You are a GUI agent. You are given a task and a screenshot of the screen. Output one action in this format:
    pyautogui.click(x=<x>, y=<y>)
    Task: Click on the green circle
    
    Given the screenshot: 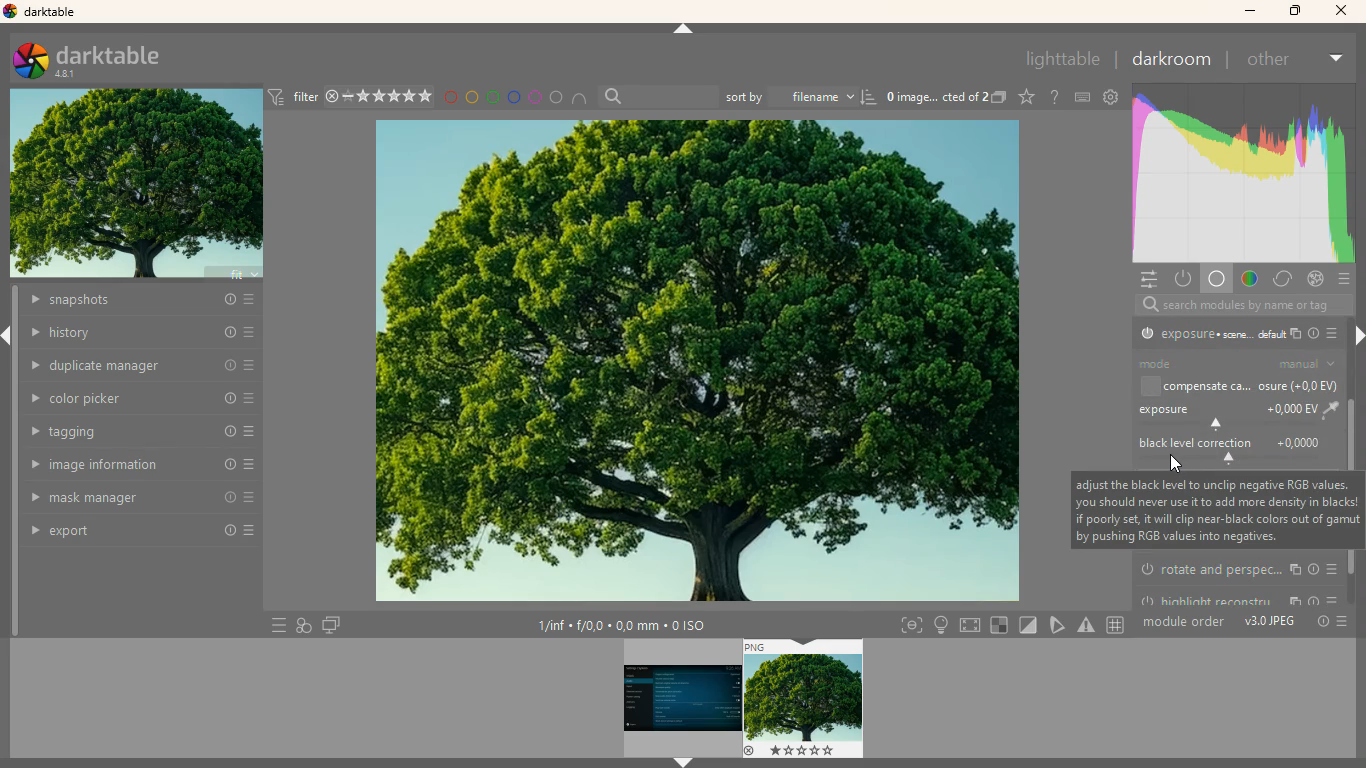 What is the action you would take?
    pyautogui.click(x=491, y=97)
    